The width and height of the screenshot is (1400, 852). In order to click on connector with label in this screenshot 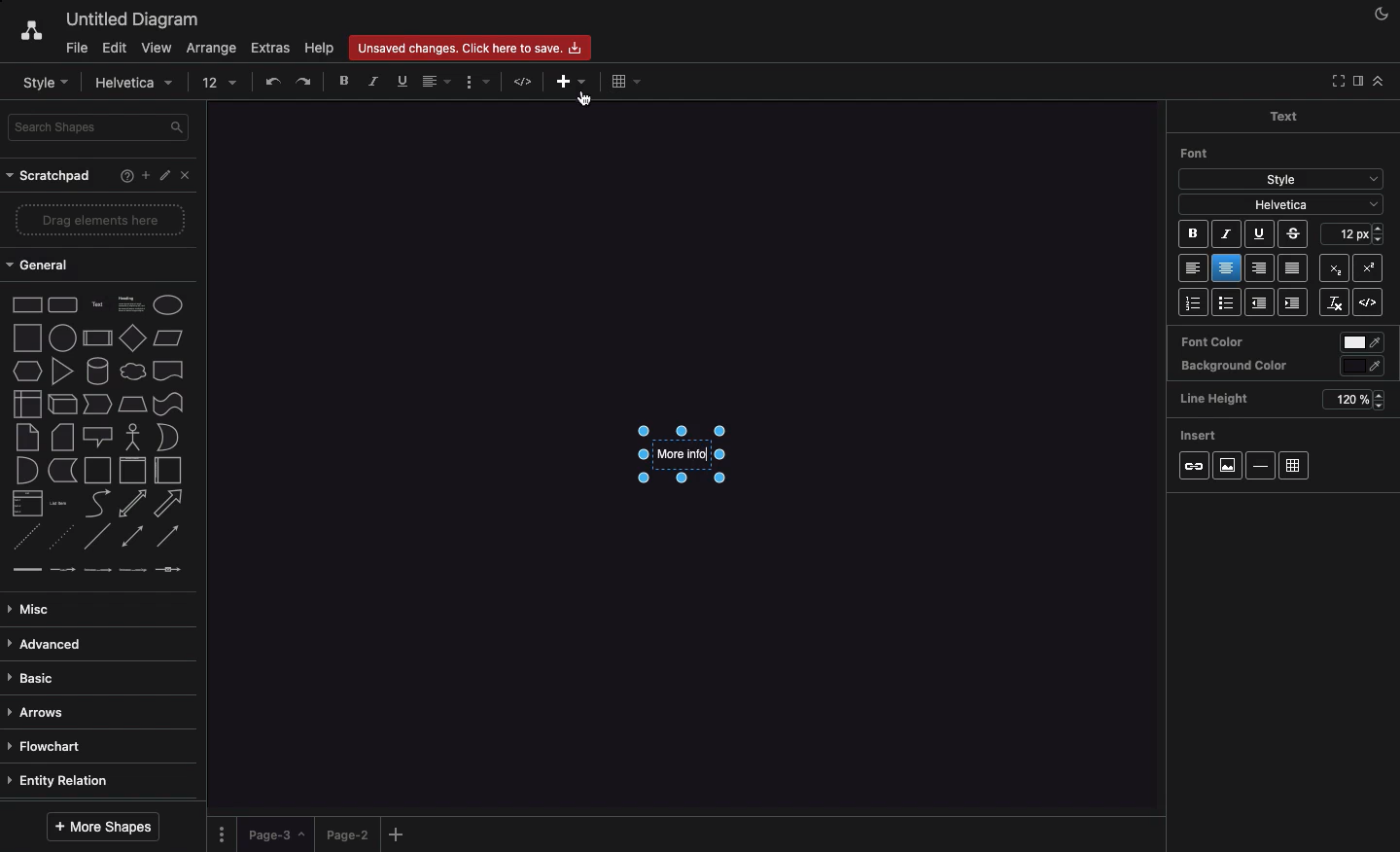, I will do `click(62, 571)`.